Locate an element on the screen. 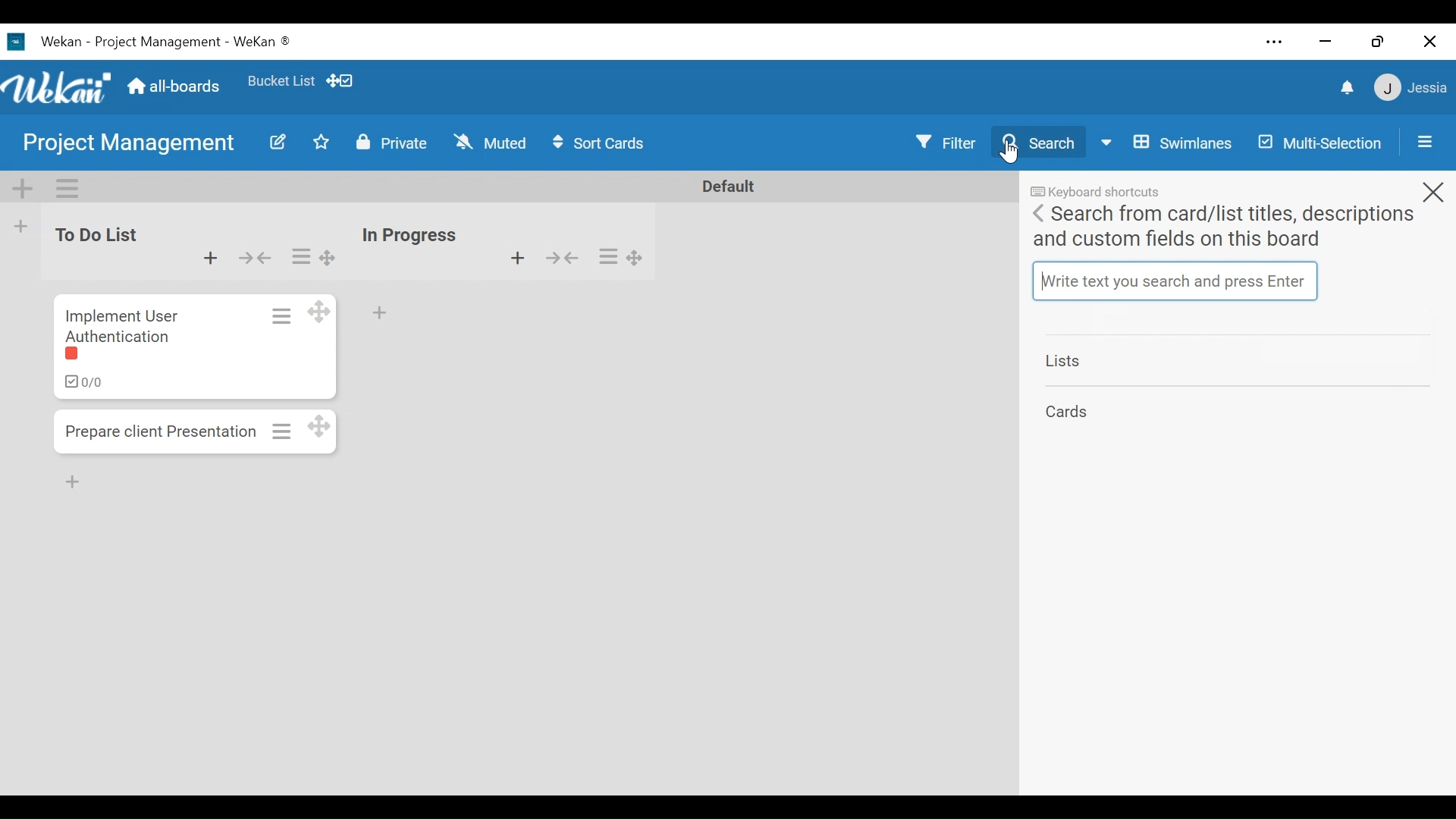 This screenshot has height=819, width=1456. Add Card Bottom of the list is located at coordinates (75, 485).